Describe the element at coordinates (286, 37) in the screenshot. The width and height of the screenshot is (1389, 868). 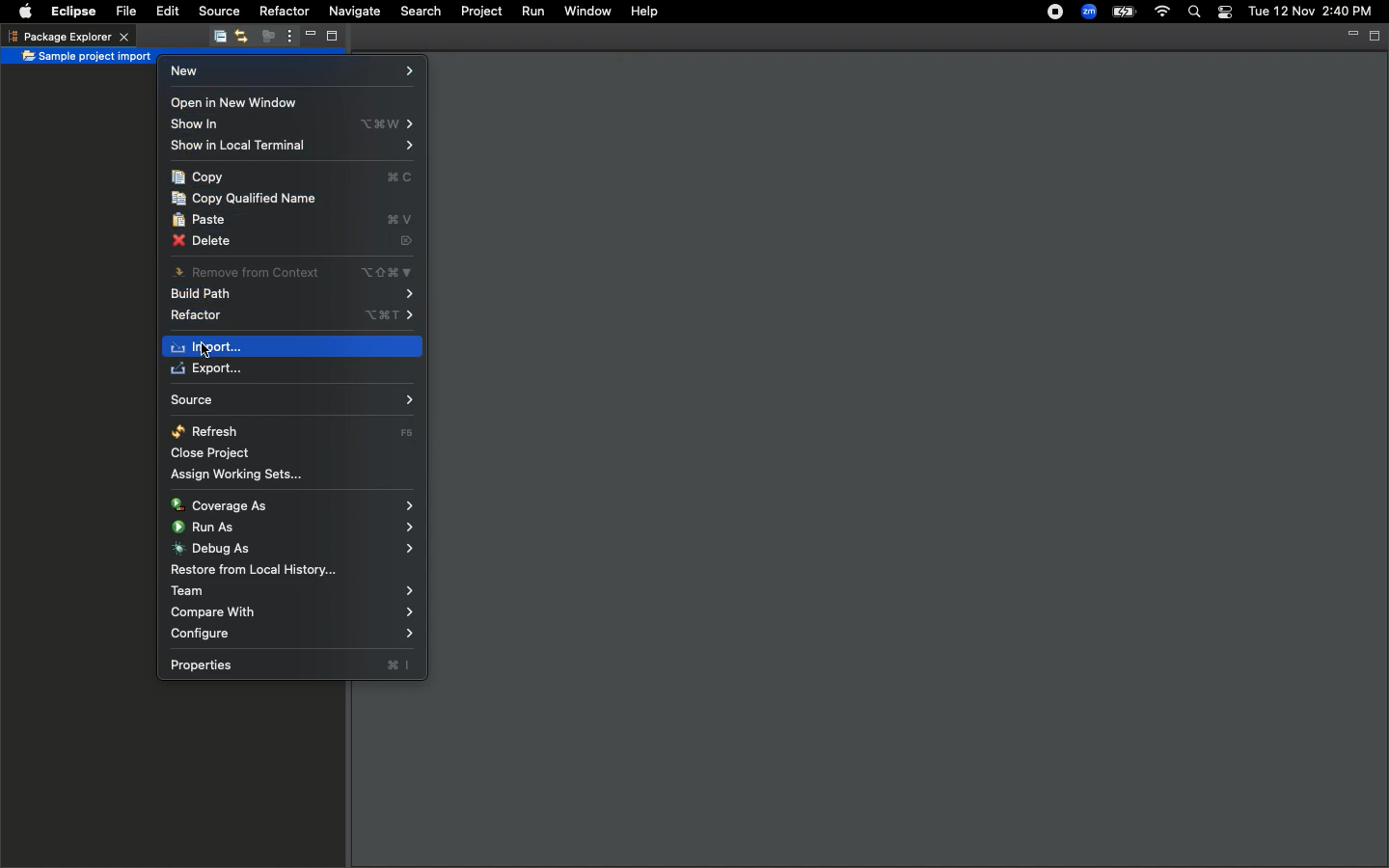
I see `View menu` at that location.